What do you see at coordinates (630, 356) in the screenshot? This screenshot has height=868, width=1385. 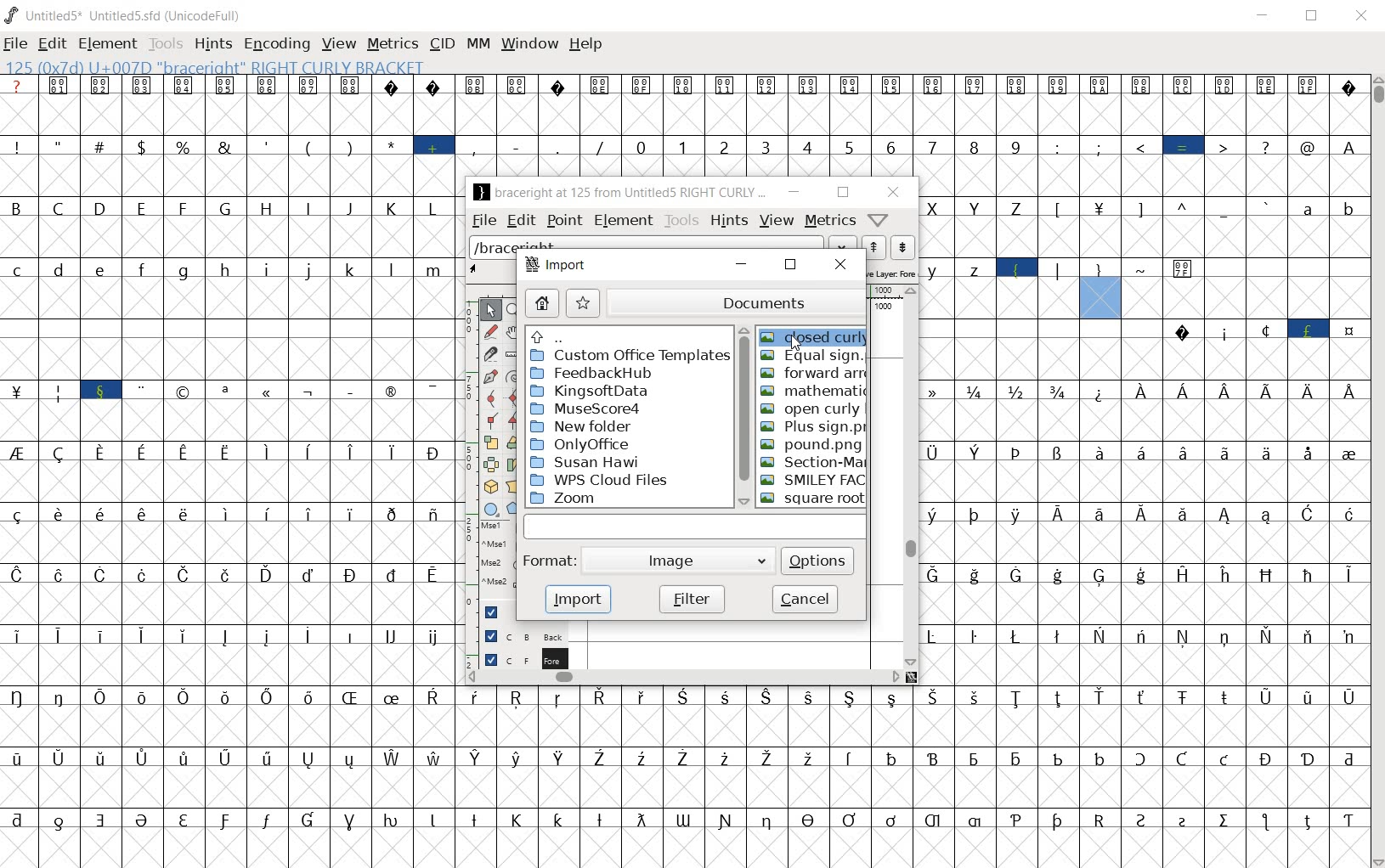 I see `Custom Office Template` at bounding box center [630, 356].